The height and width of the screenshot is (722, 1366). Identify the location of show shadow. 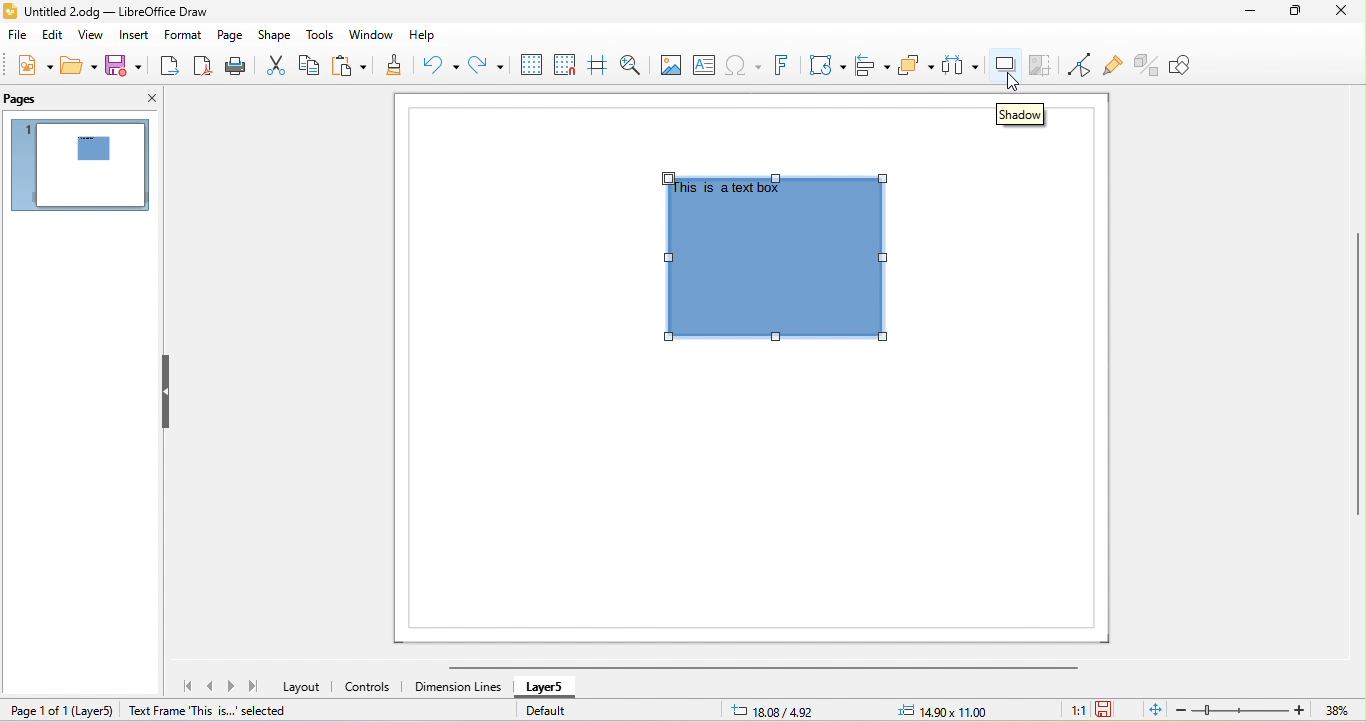
(776, 276).